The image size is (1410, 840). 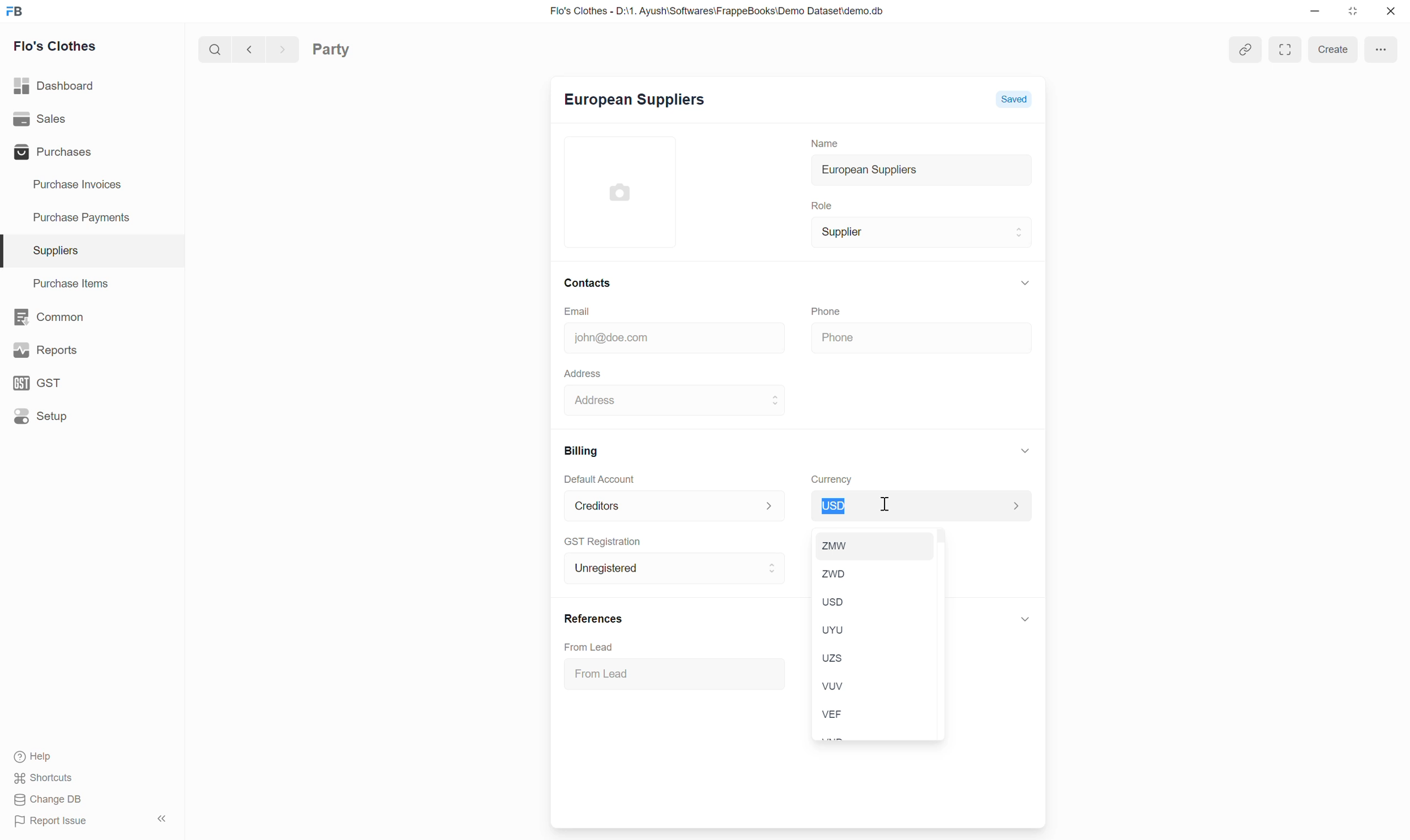 What do you see at coordinates (1381, 47) in the screenshot?
I see `menu` at bounding box center [1381, 47].